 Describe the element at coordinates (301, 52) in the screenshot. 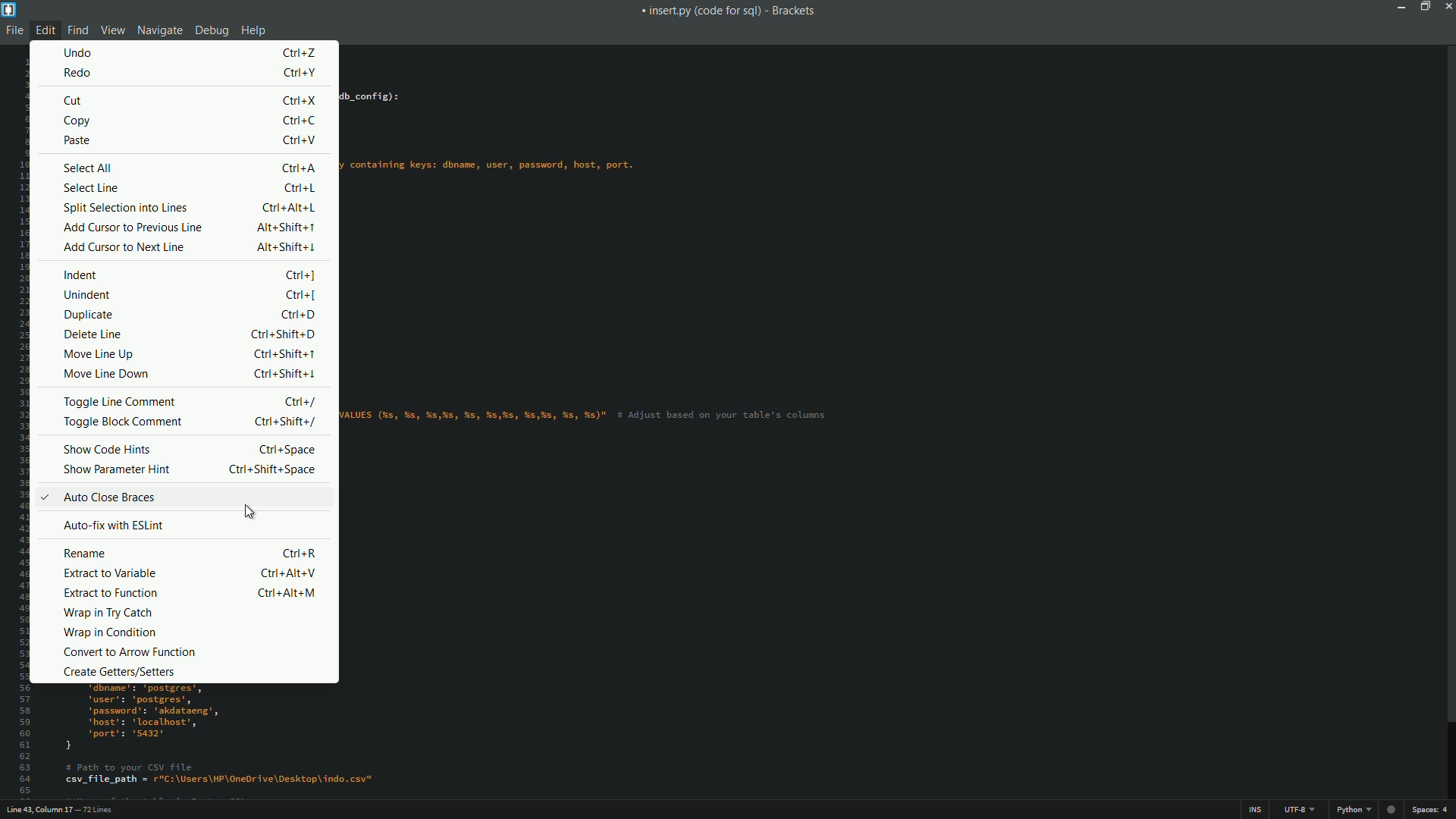

I see `keyboard shortcut` at that location.